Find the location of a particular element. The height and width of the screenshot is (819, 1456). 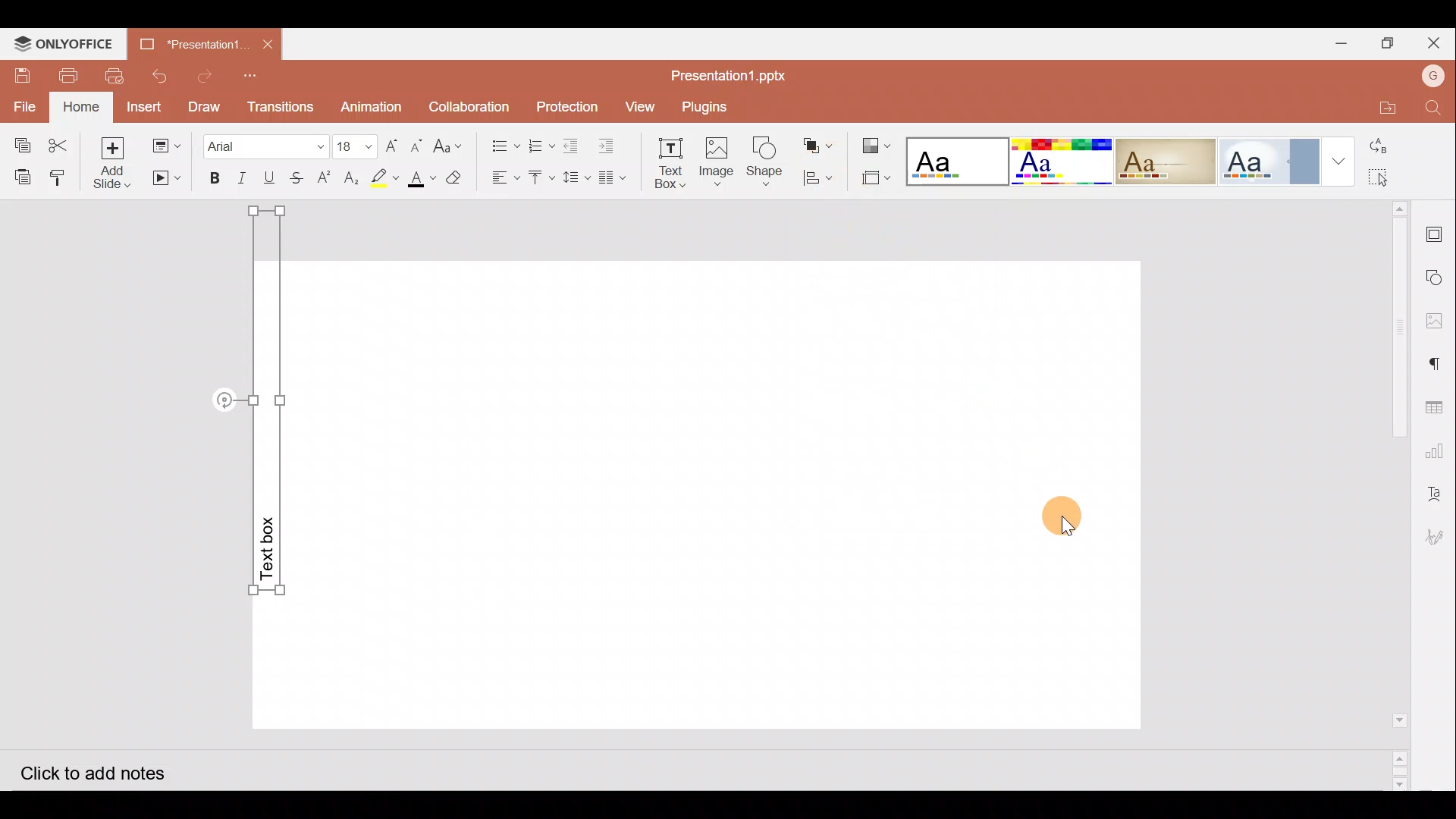

Quick print is located at coordinates (112, 77).